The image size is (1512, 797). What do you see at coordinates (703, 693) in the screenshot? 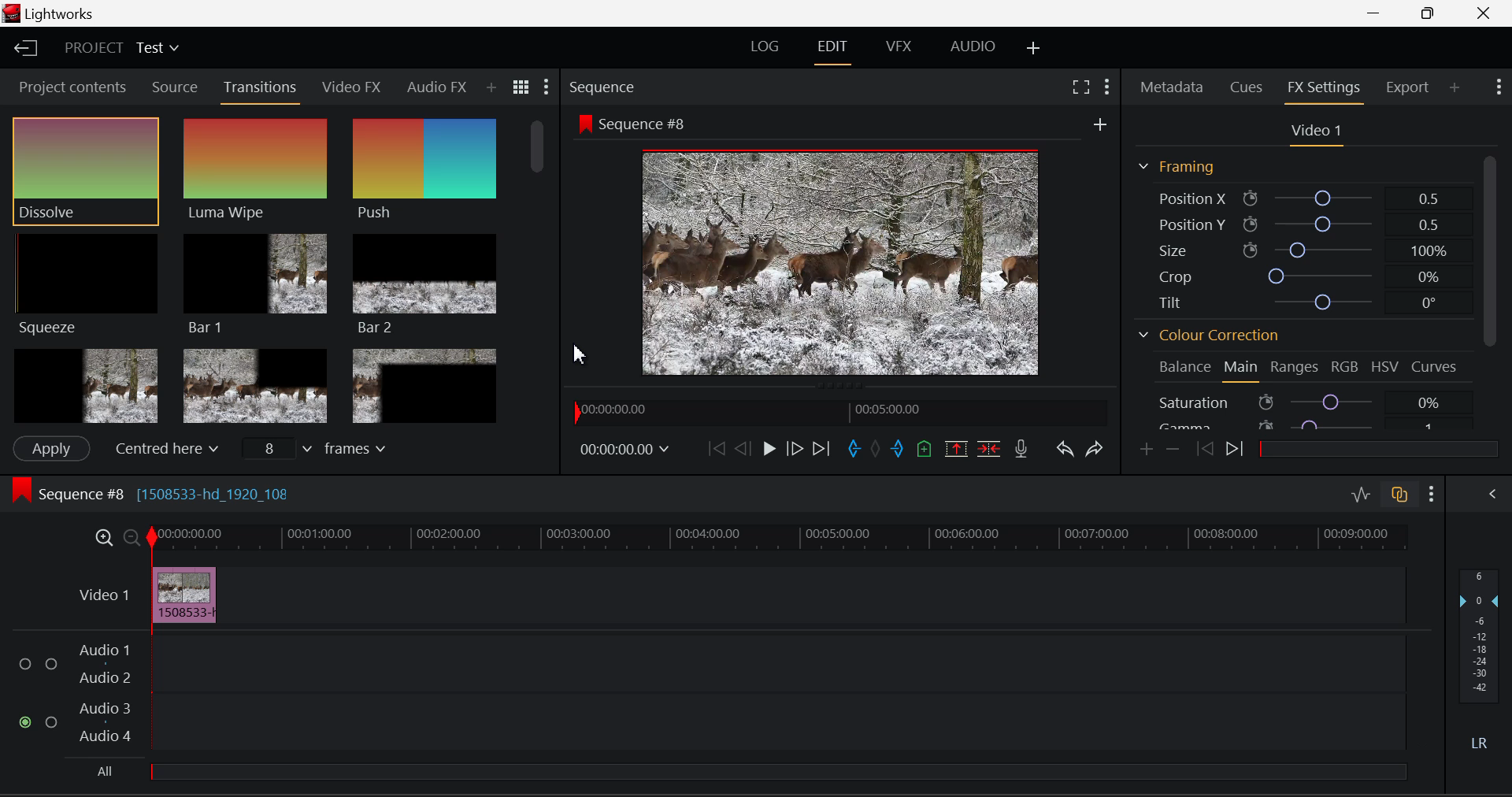
I see `Audio Input Field` at bounding box center [703, 693].